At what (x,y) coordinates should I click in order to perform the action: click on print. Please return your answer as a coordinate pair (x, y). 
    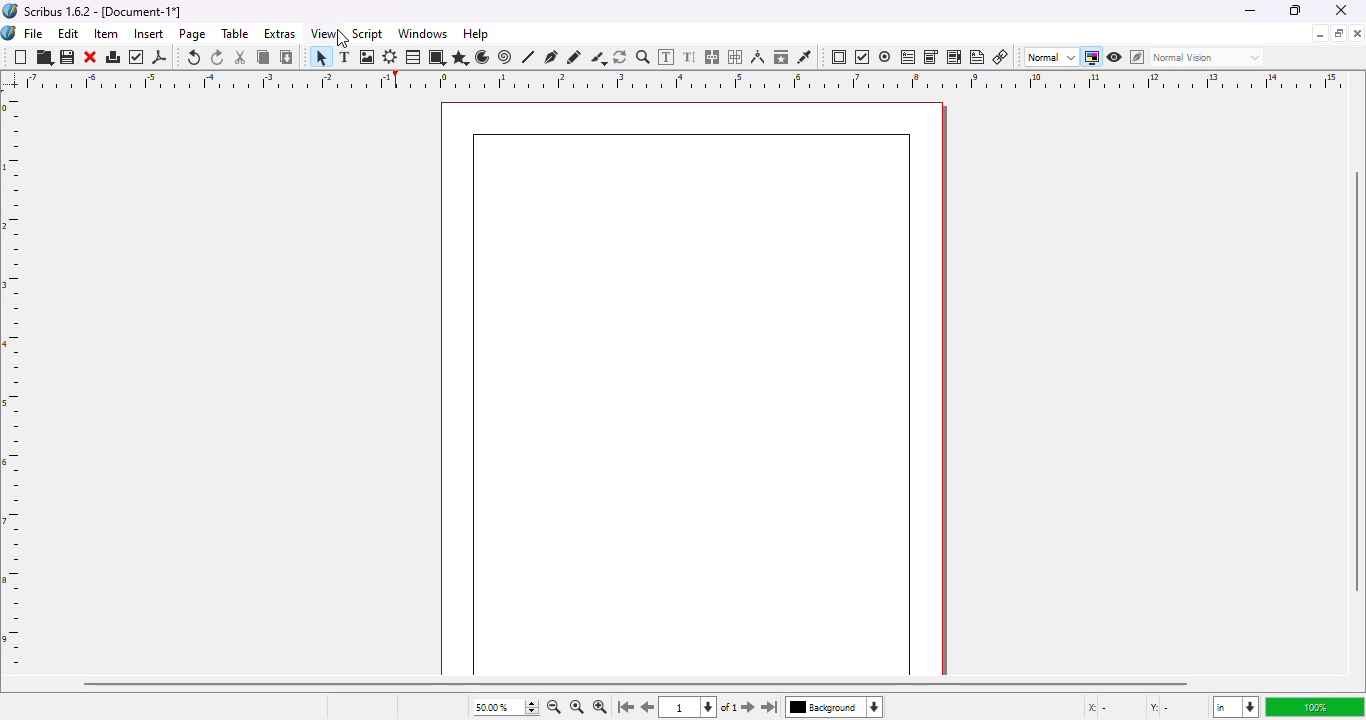
    Looking at the image, I should click on (114, 57).